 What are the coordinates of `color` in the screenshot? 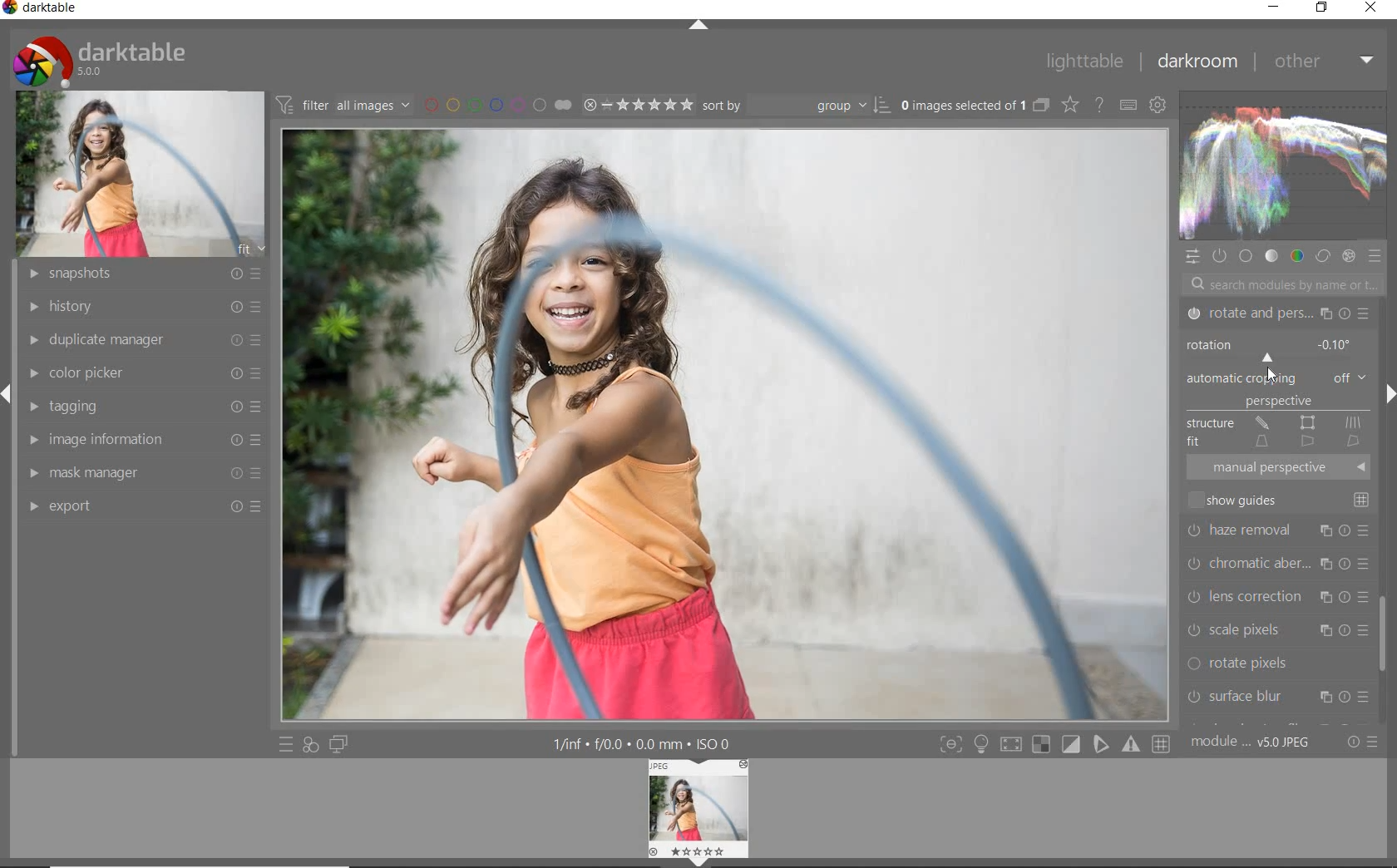 It's located at (1298, 258).